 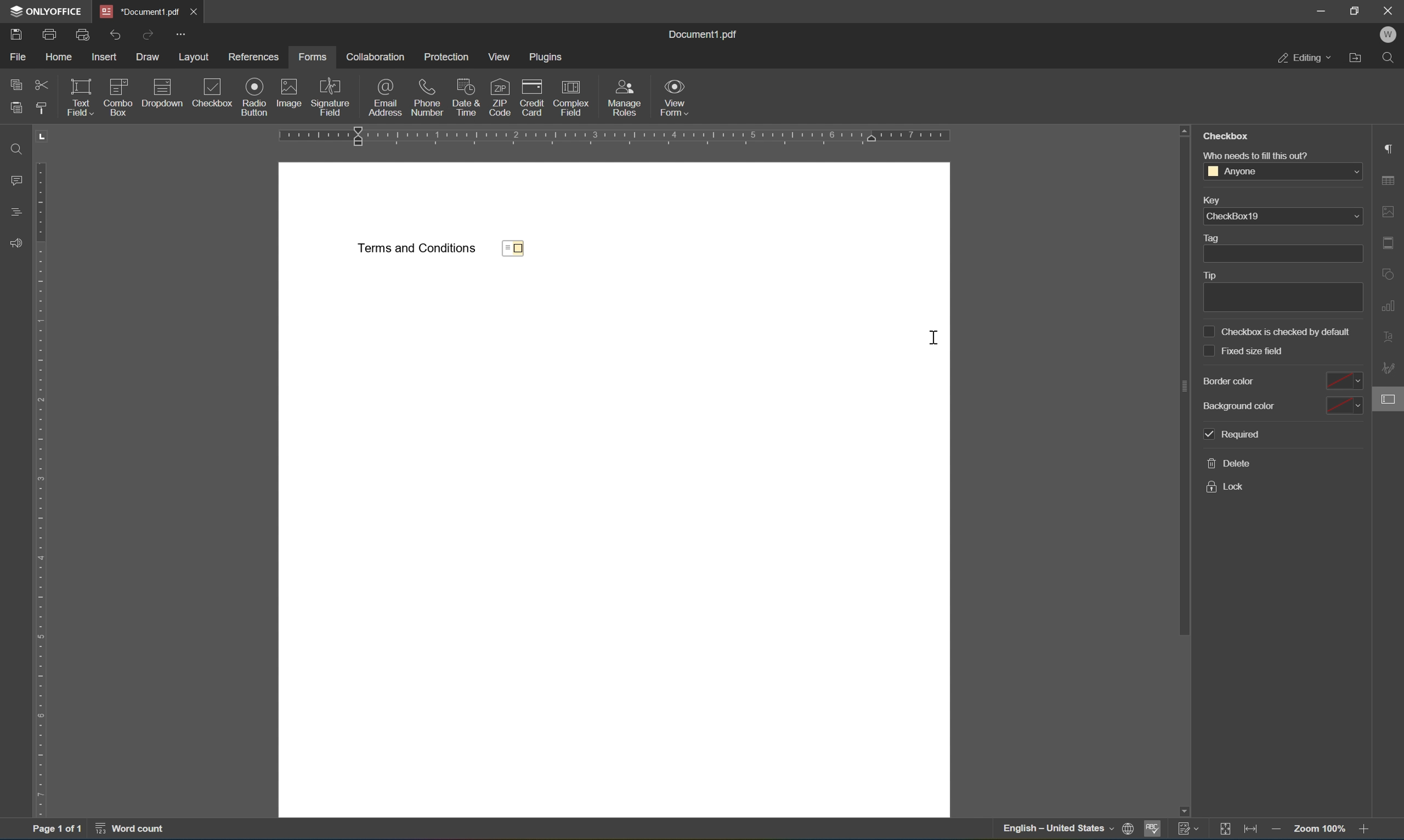 I want to click on headings, so click(x=16, y=211).